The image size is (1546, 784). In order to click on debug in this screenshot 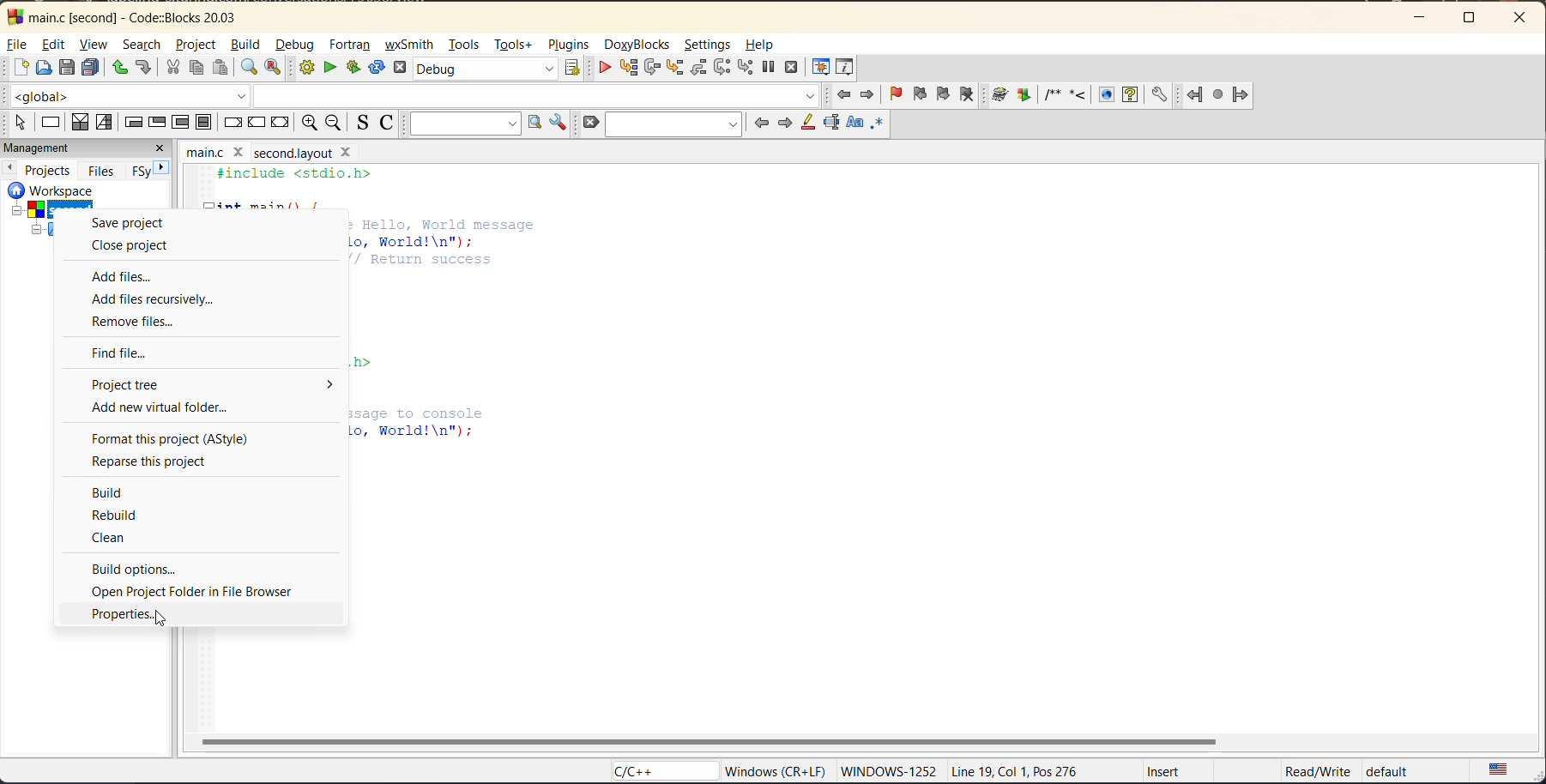, I will do `click(297, 45)`.